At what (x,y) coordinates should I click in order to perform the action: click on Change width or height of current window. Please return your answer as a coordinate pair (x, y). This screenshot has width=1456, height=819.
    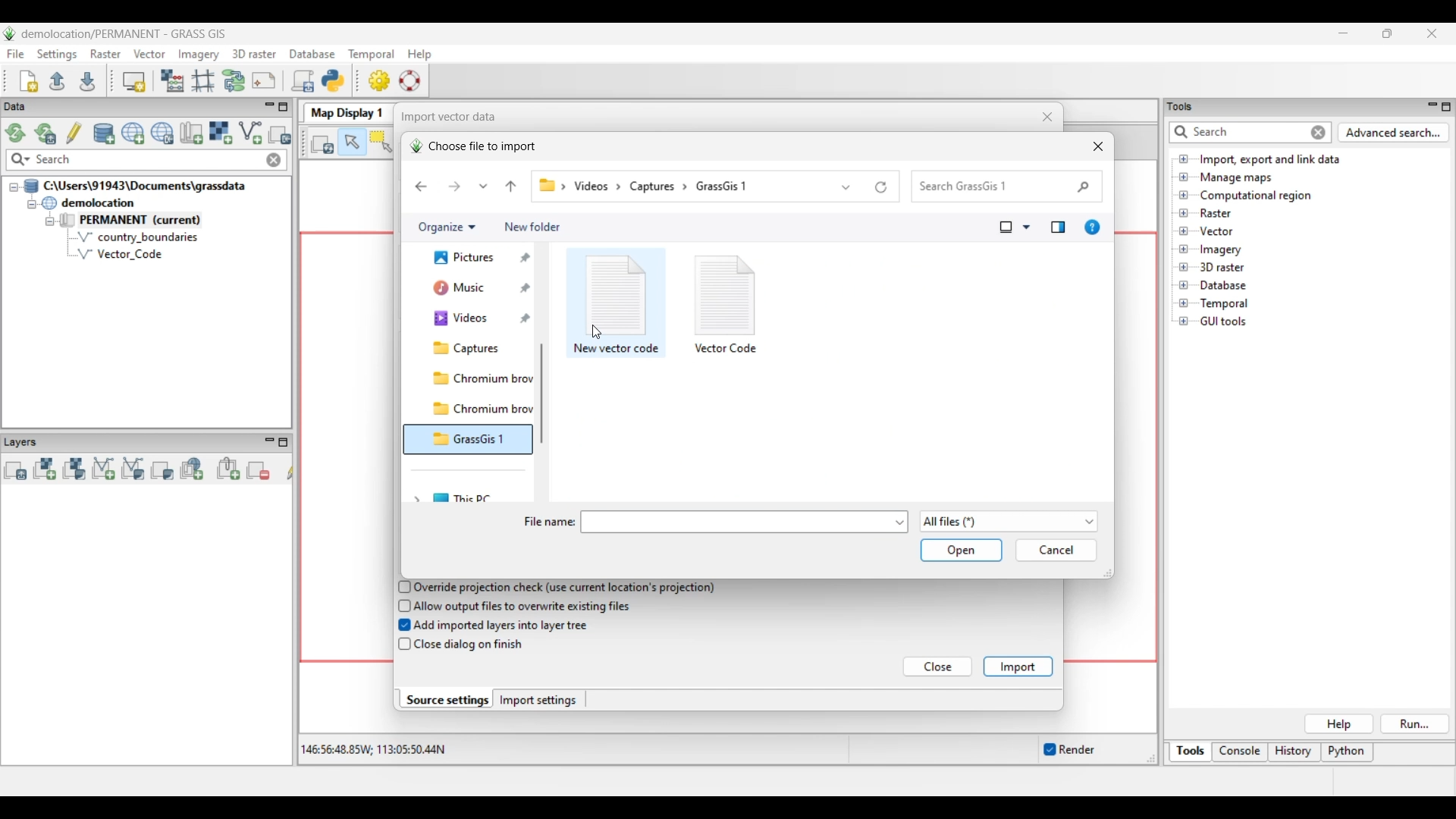
    Looking at the image, I should click on (1106, 573).